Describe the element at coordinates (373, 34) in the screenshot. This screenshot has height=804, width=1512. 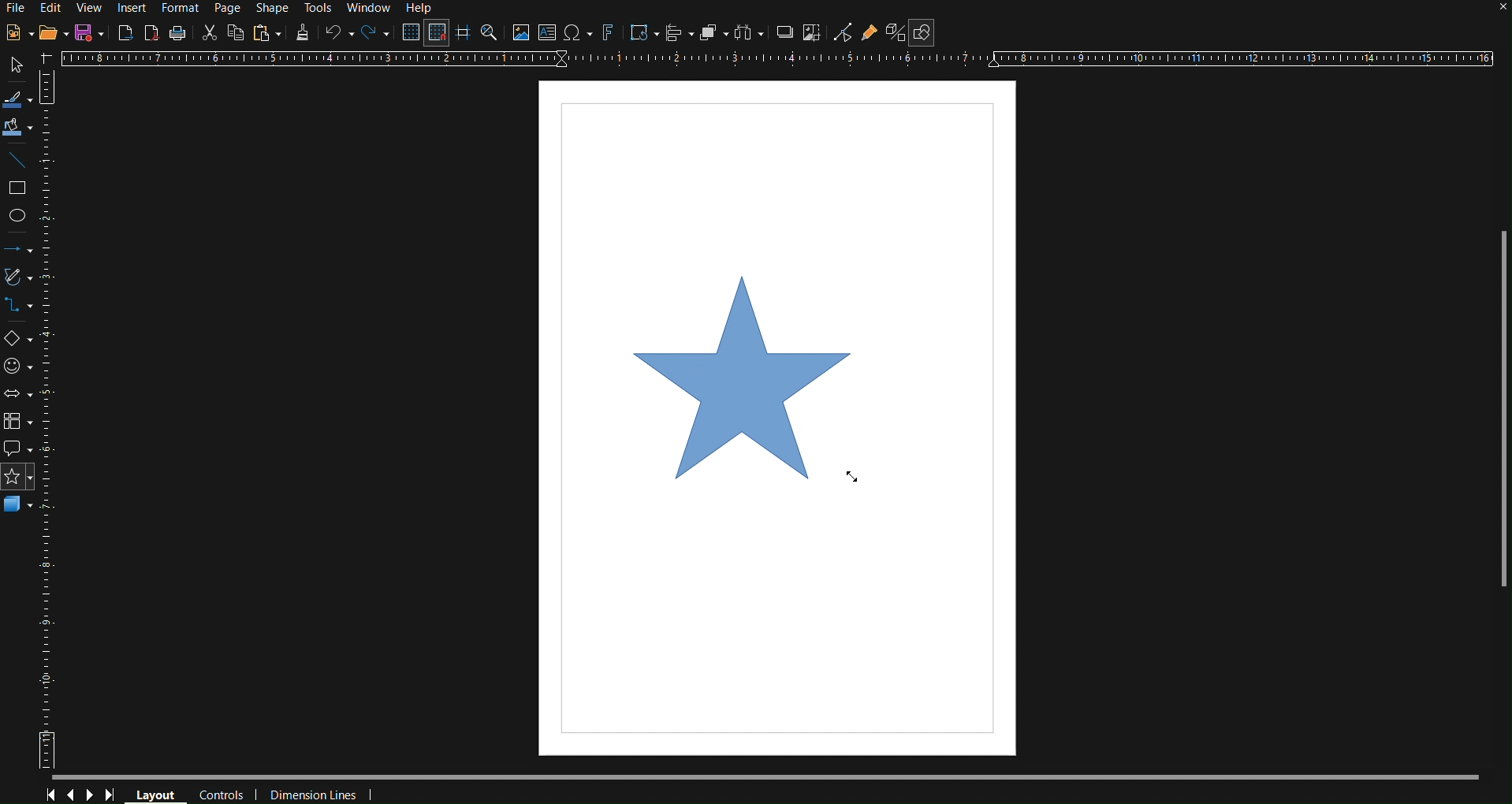
I see `Redo` at that location.